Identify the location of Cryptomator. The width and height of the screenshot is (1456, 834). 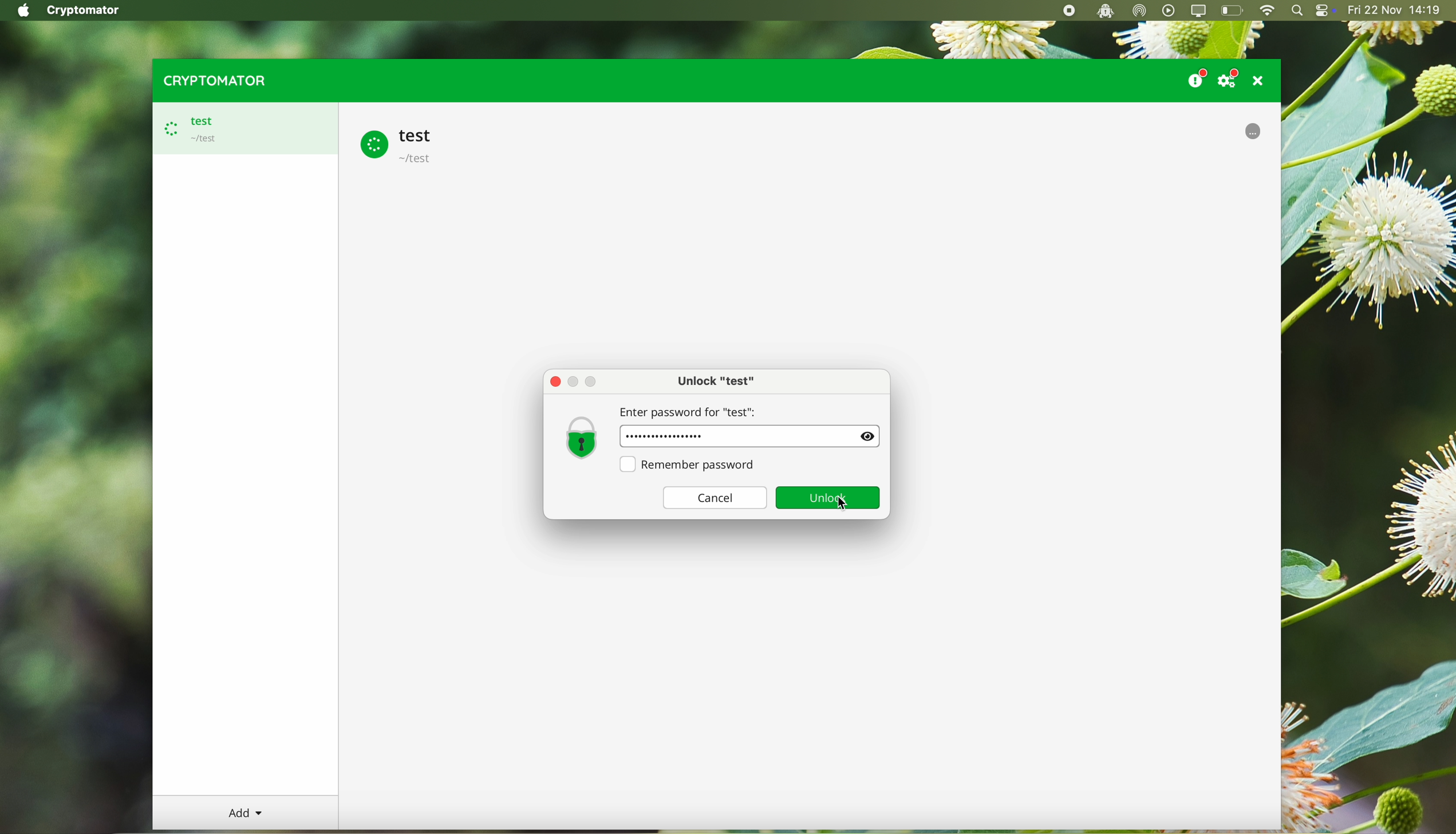
(85, 11).